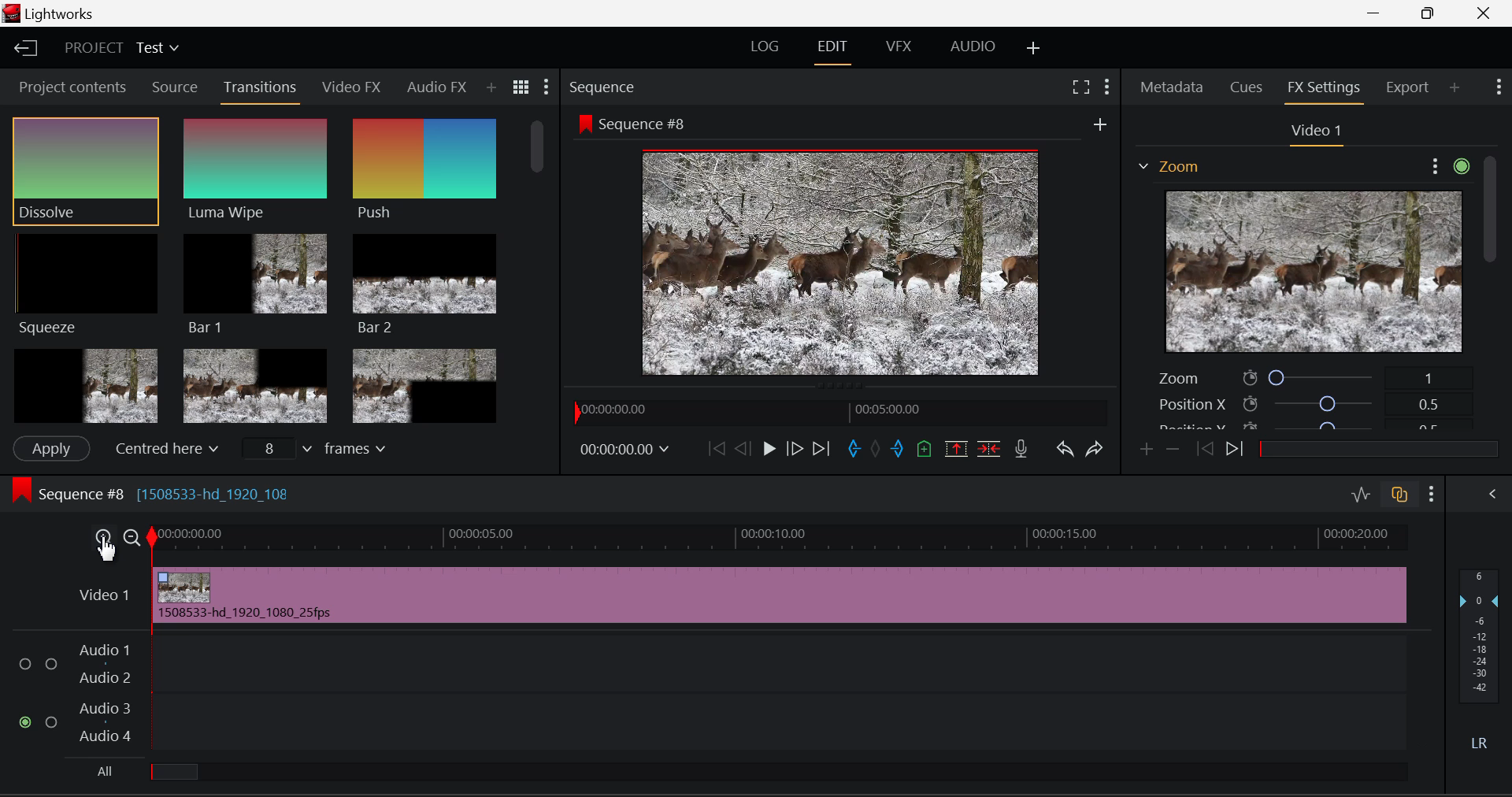 The width and height of the screenshot is (1512, 797). What do you see at coordinates (1325, 89) in the screenshot?
I see `FX Settings` at bounding box center [1325, 89].